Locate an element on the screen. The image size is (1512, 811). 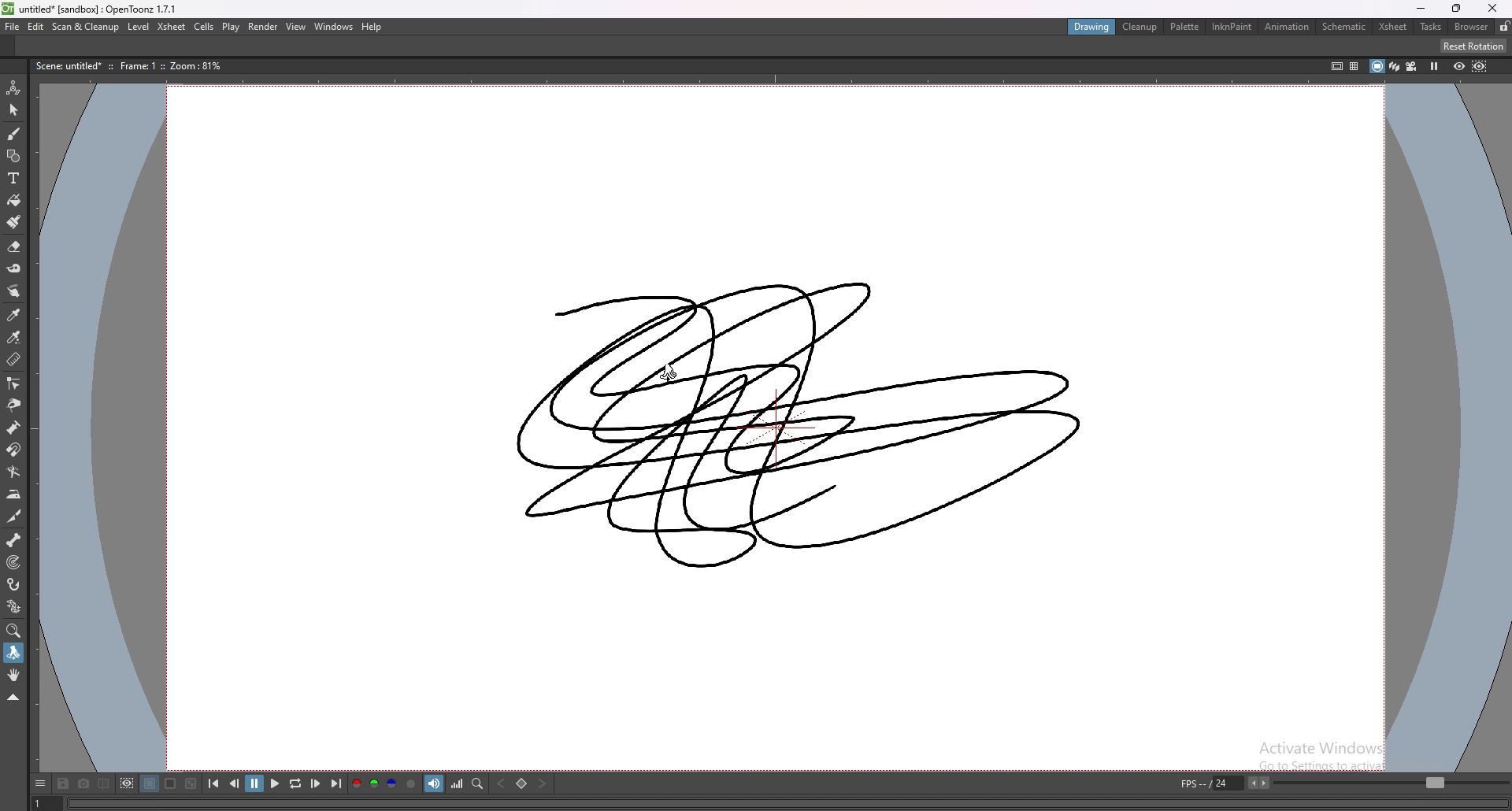
render is located at coordinates (263, 26).